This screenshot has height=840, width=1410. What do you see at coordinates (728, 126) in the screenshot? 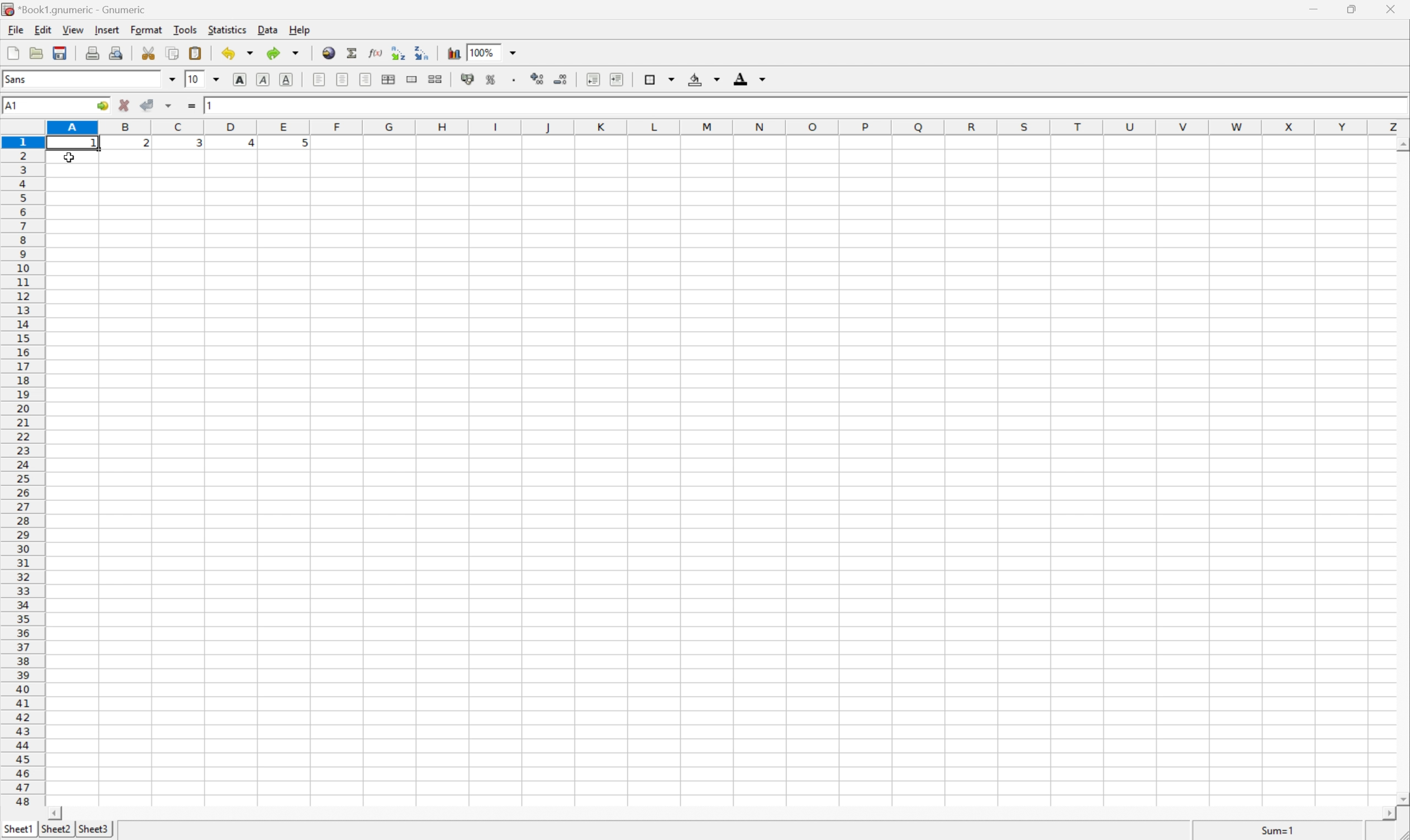
I see `column names` at bounding box center [728, 126].